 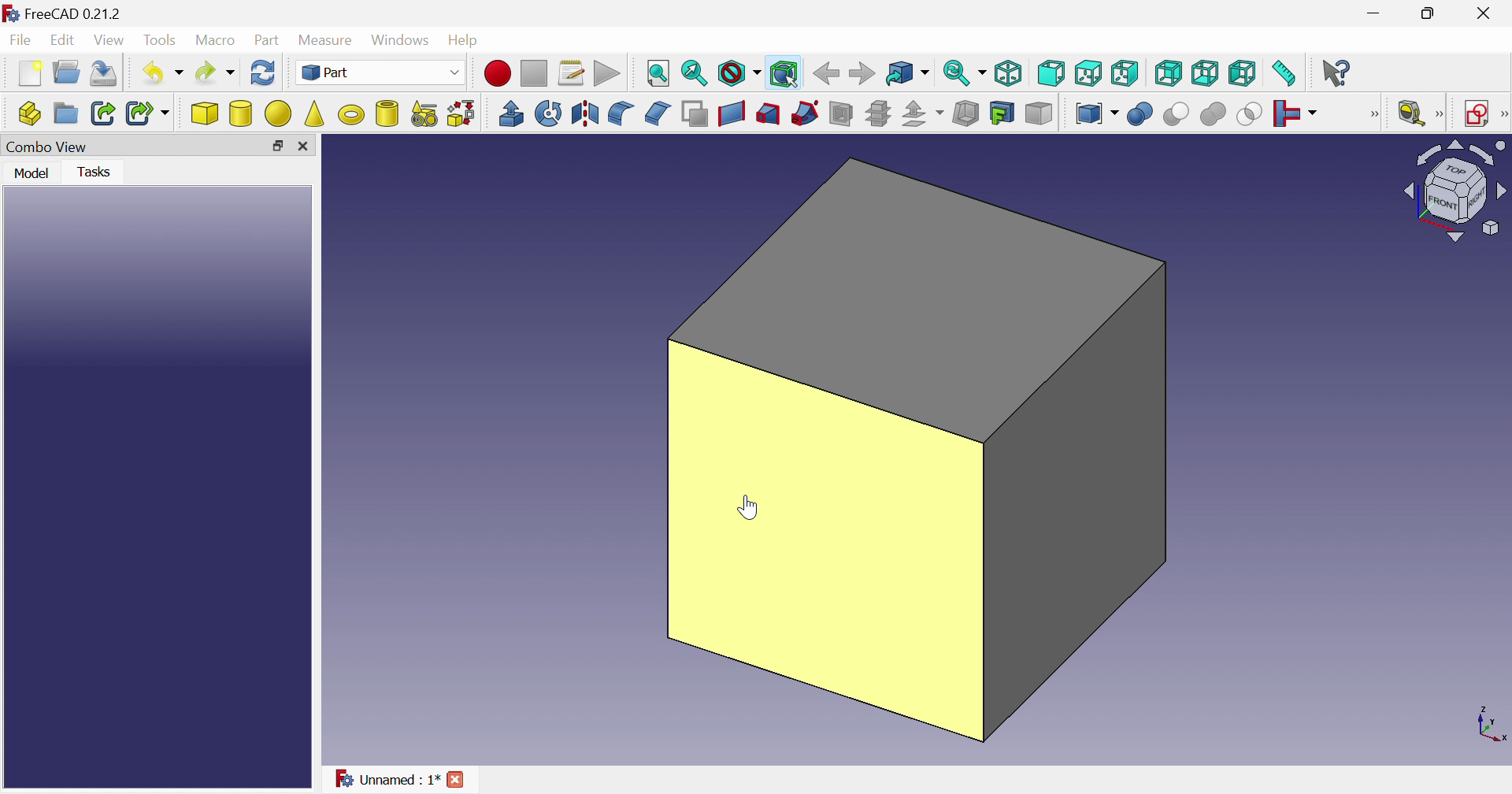 What do you see at coordinates (165, 72) in the screenshot?
I see `Undo` at bounding box center [165, 72].